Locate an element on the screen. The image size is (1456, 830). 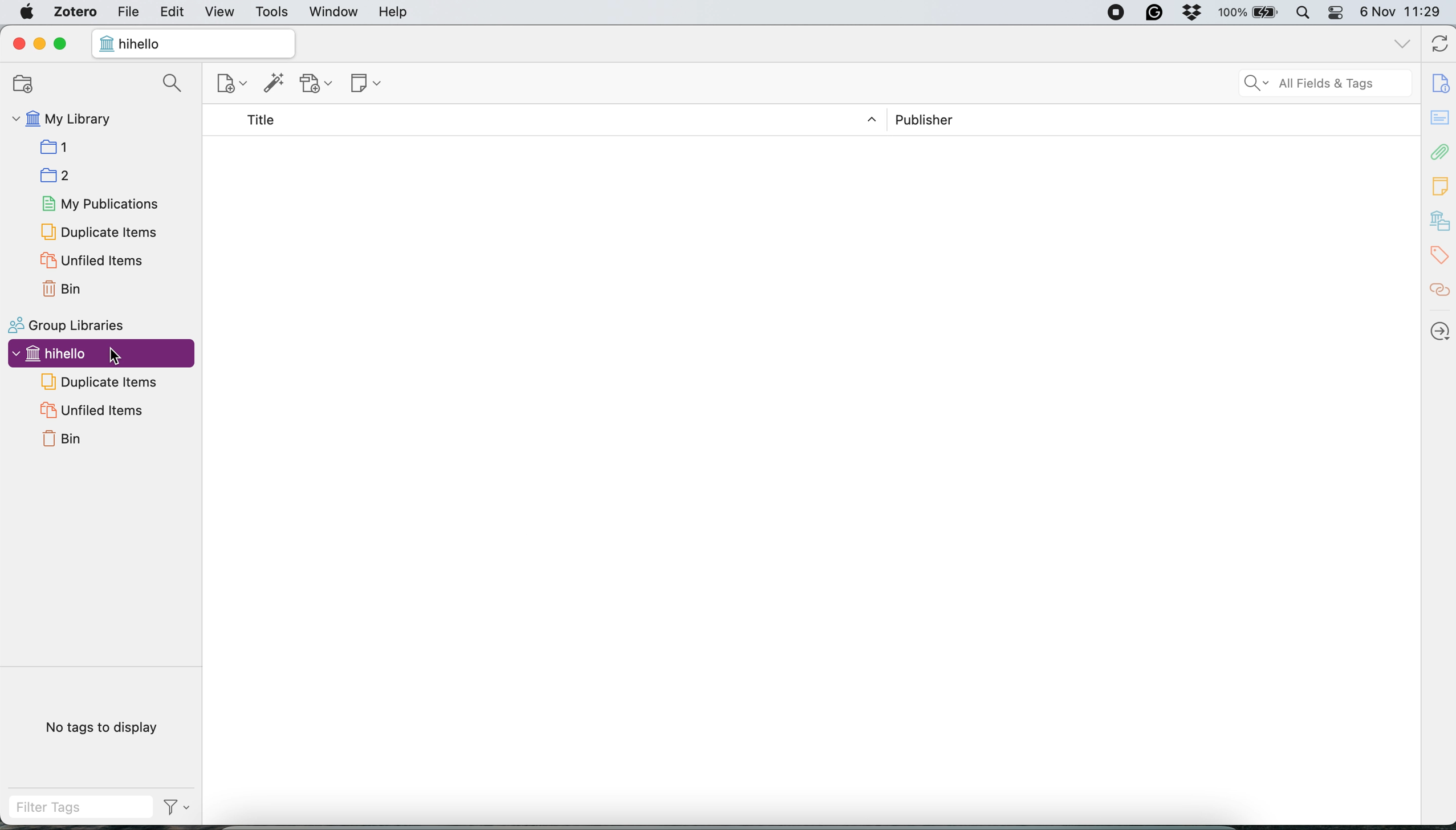
search is located at coordinates (177, 85).